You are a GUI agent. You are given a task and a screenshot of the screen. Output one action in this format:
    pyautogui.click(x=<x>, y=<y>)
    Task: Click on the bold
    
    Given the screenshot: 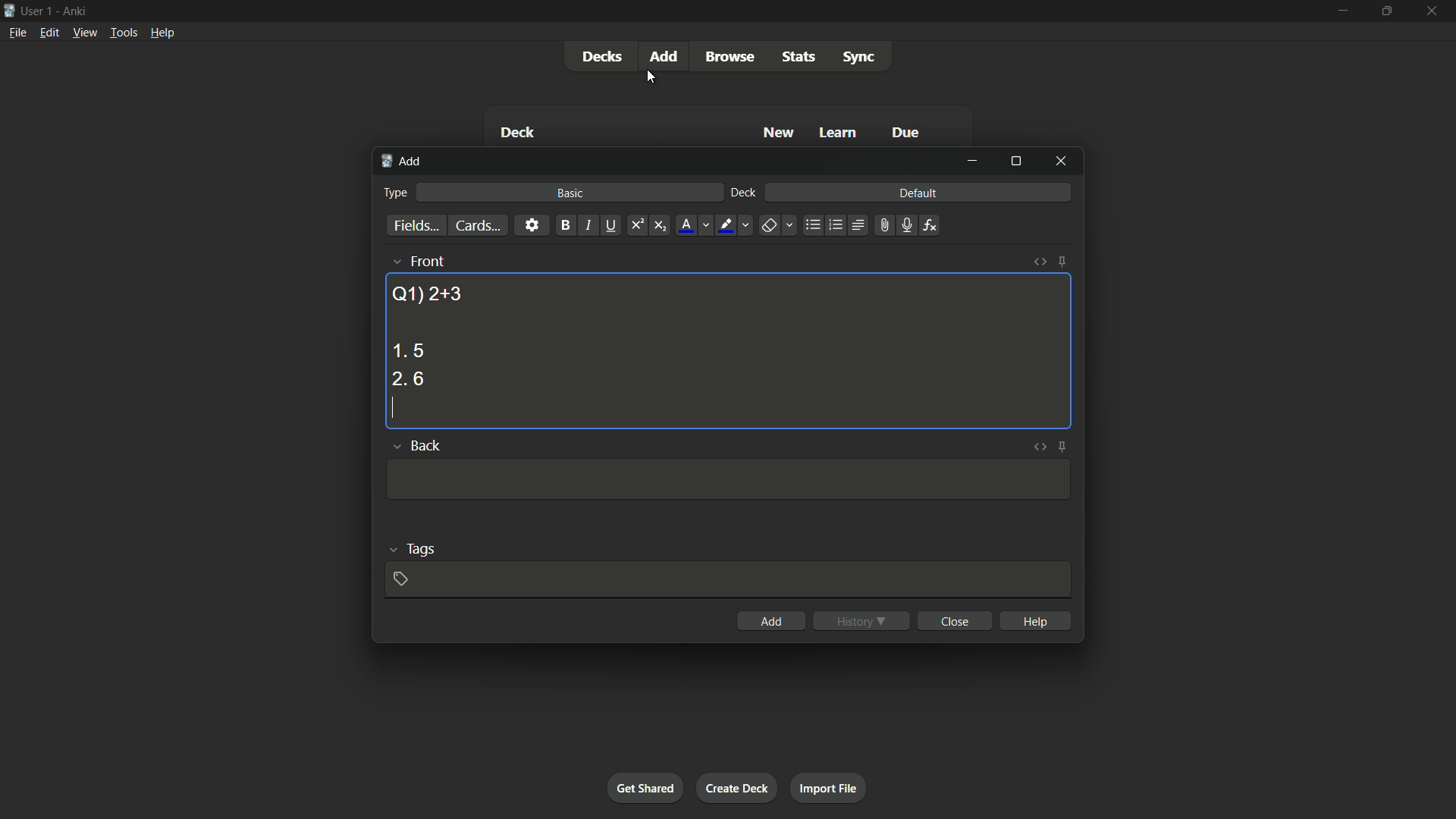 What is the action you would take?
    pyautogui.click(x=565, y=226)
    